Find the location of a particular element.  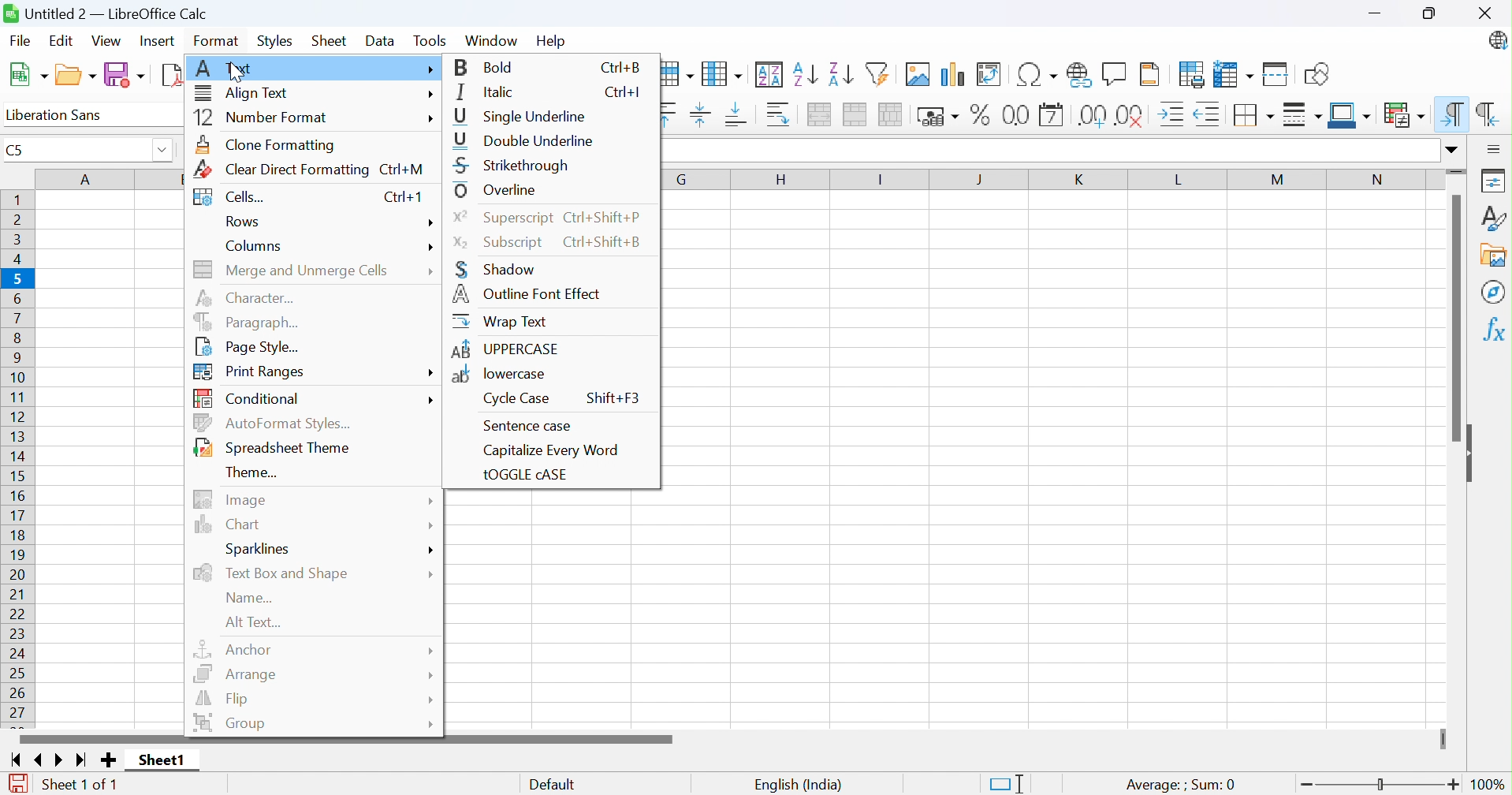

More is located at coordinates (431, 371).